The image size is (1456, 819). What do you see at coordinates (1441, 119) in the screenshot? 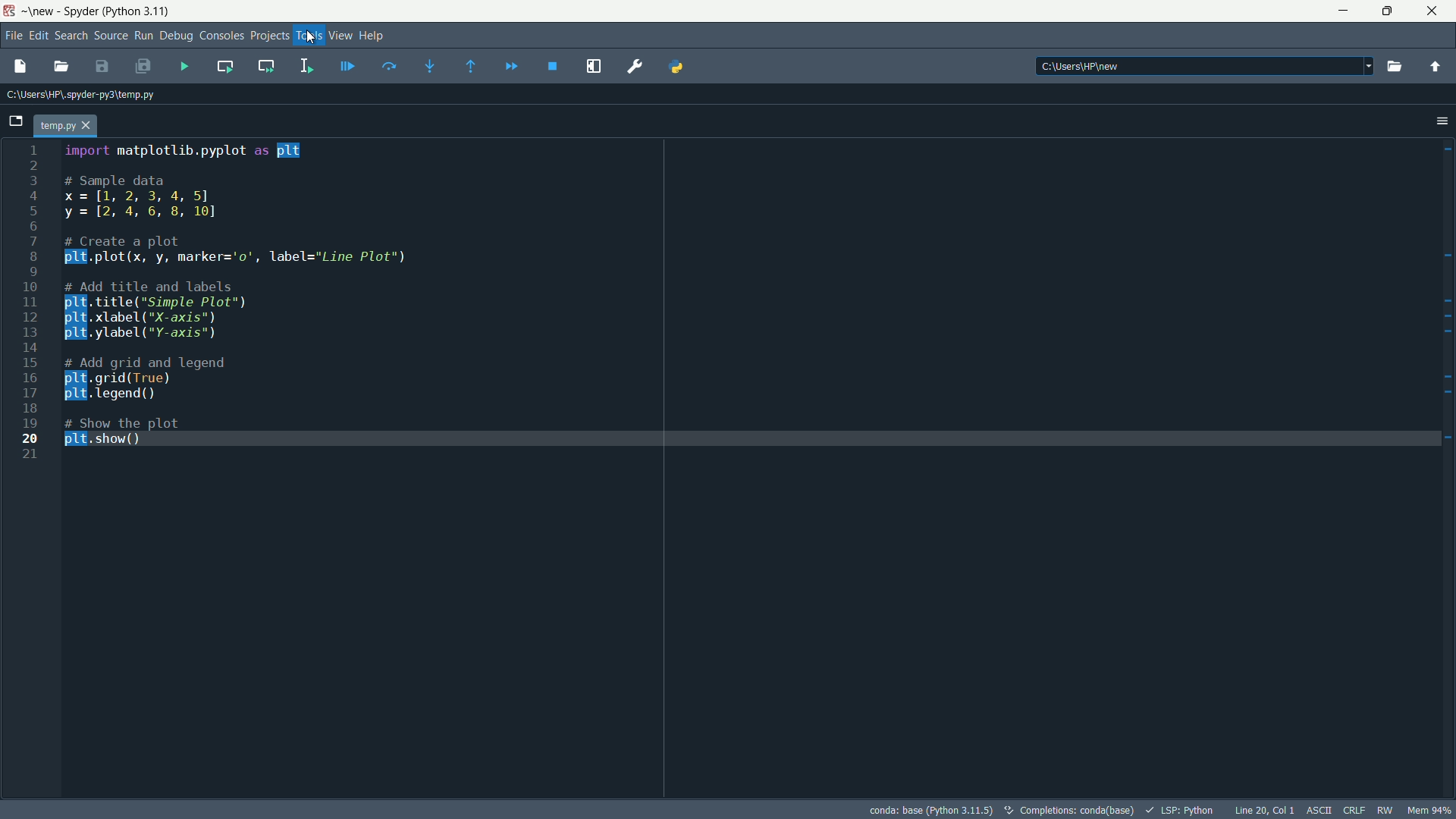
I see `options` at bounding box center [1441, 119].